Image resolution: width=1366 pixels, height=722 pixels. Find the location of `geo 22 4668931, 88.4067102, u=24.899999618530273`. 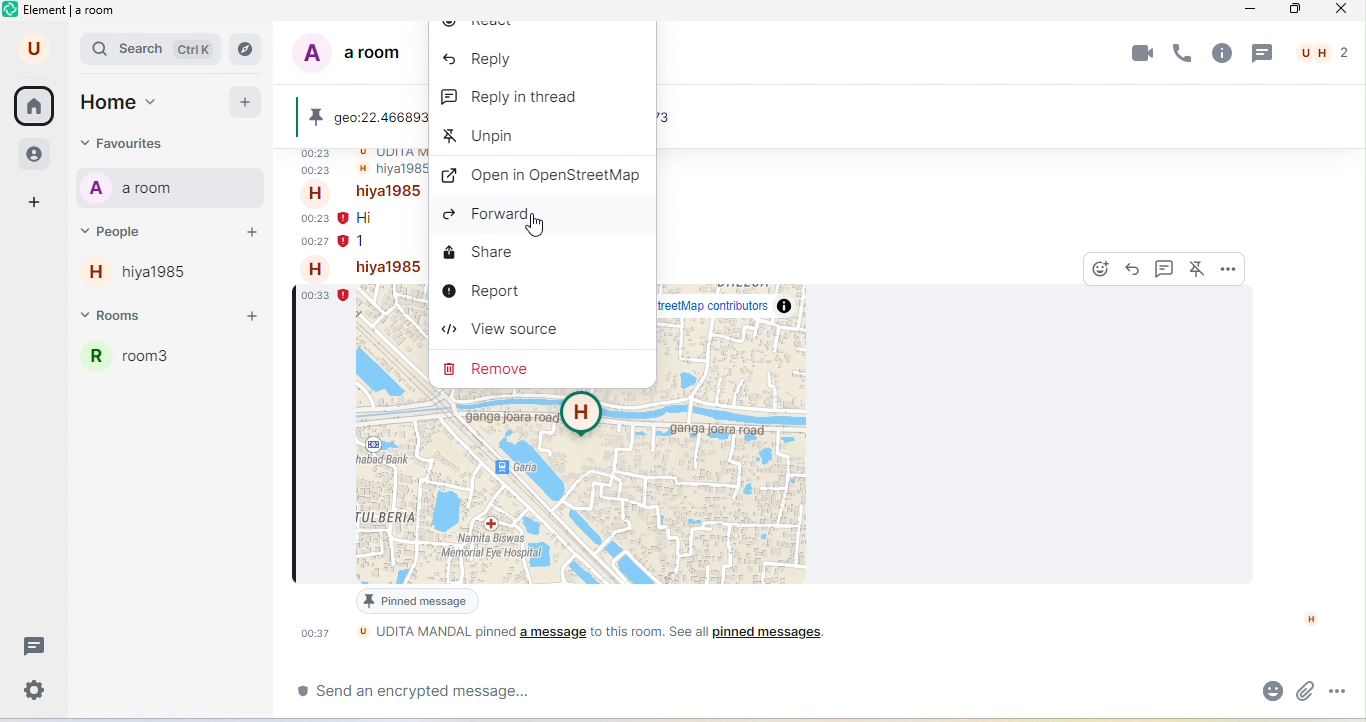

geo 22 4668931, 88.4067102, u=24.899999618530273 is located at coordinates (375, 117).